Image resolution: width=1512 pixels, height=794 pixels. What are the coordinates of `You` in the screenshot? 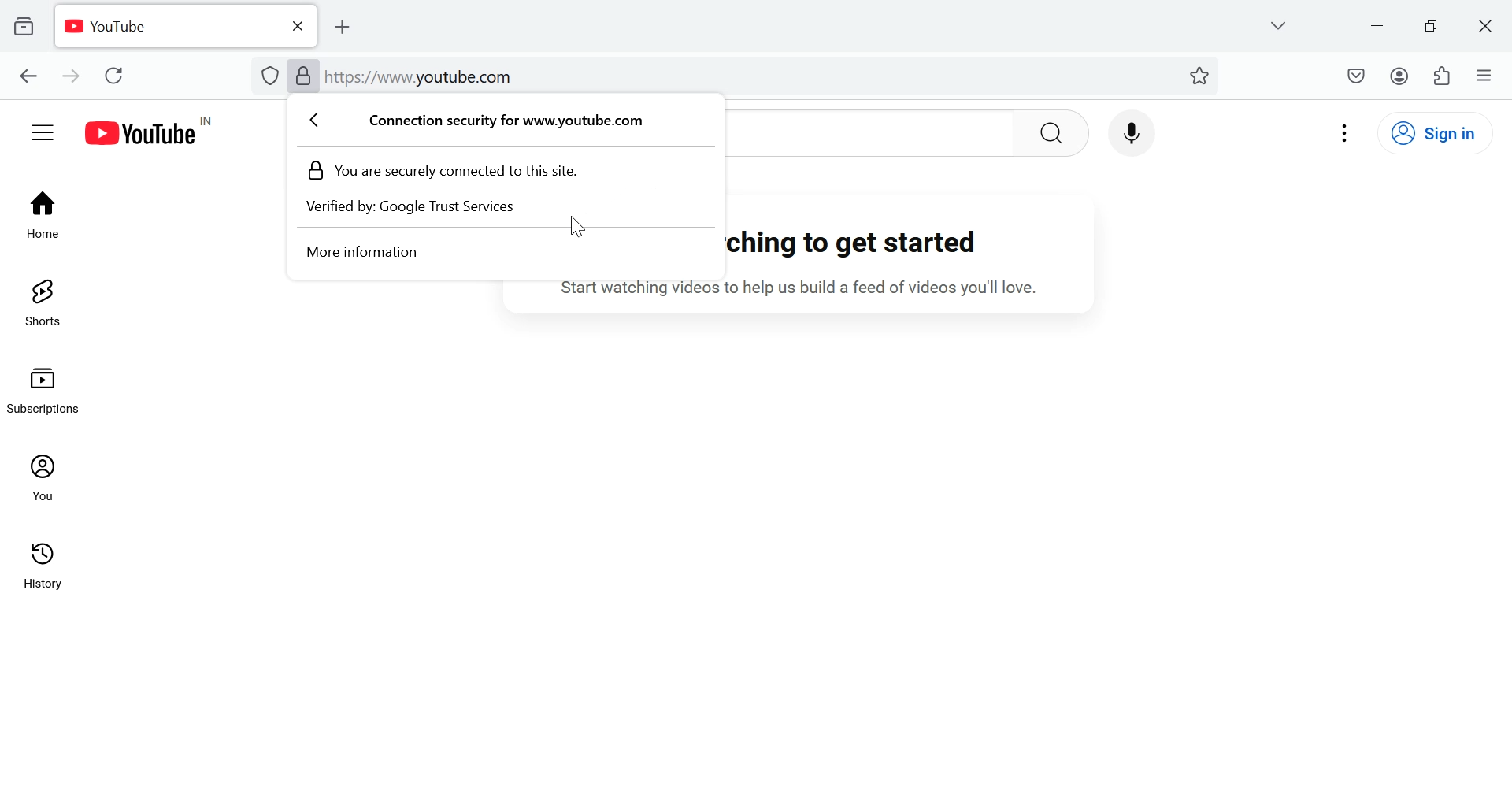 It's located at (46, 477).